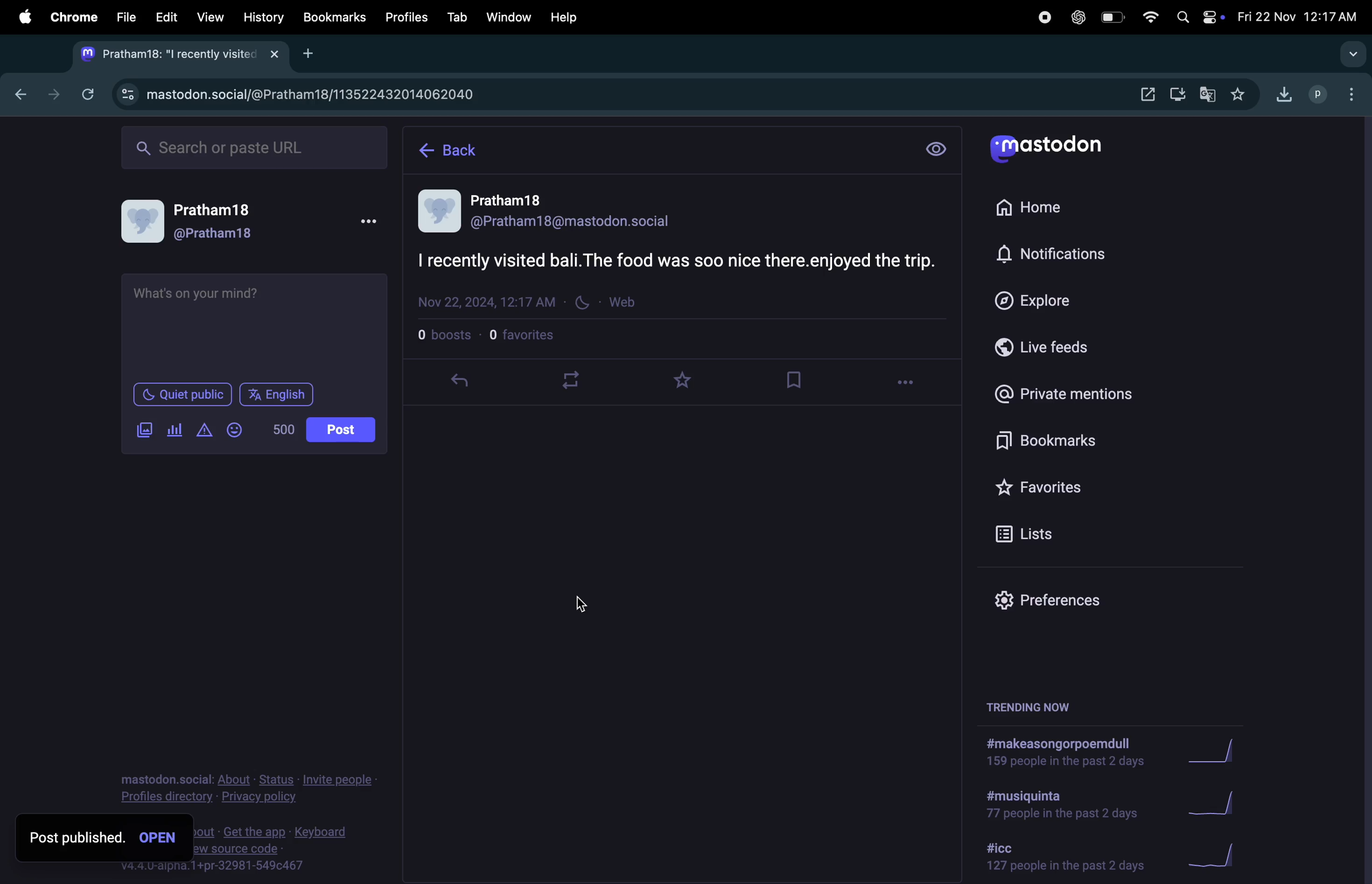 This screenshot has height=884, width=1372. I want to click on add content, so click(200, 430).